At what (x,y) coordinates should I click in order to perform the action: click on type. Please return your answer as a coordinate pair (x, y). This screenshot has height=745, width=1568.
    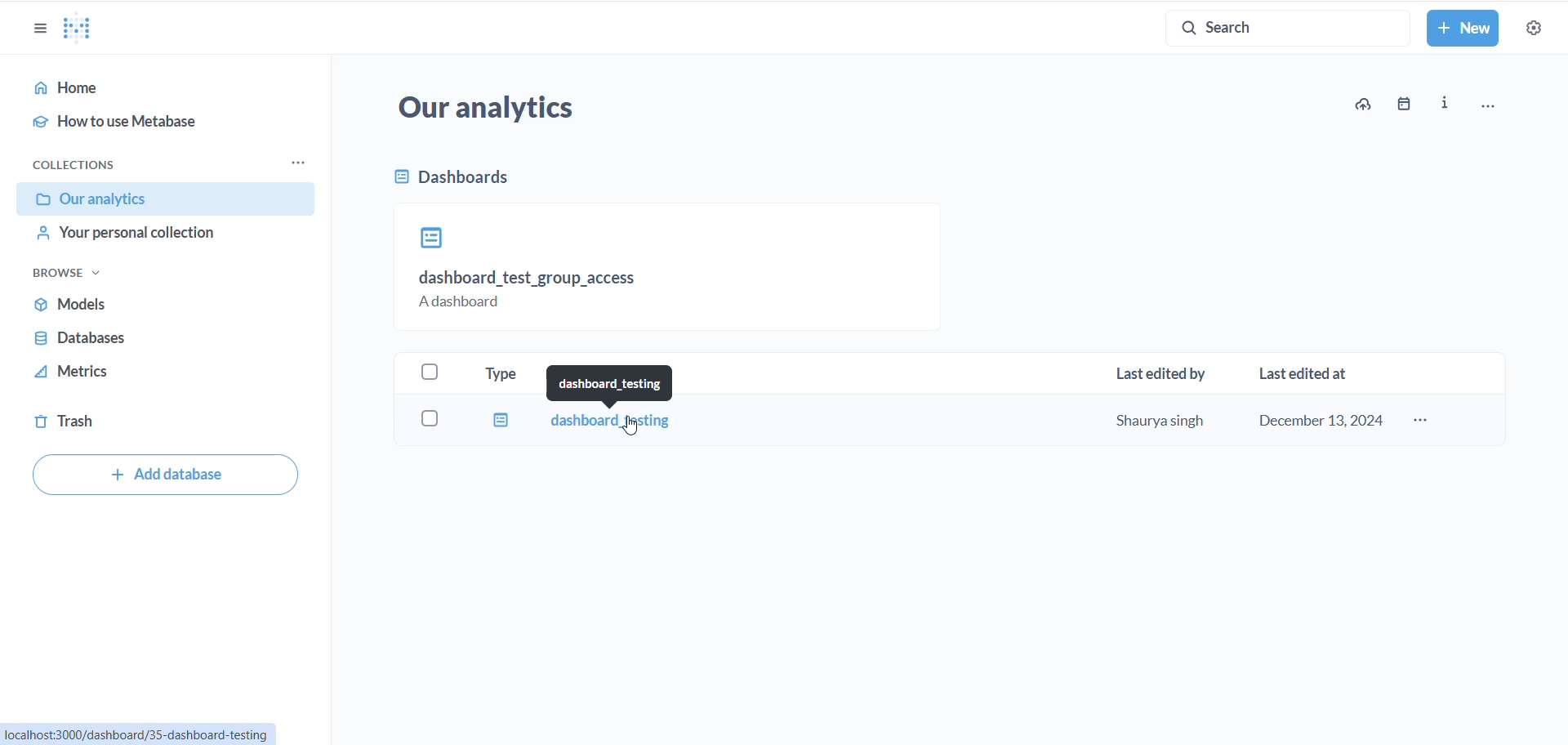
    Looking at the image, I should click on (510, 374).